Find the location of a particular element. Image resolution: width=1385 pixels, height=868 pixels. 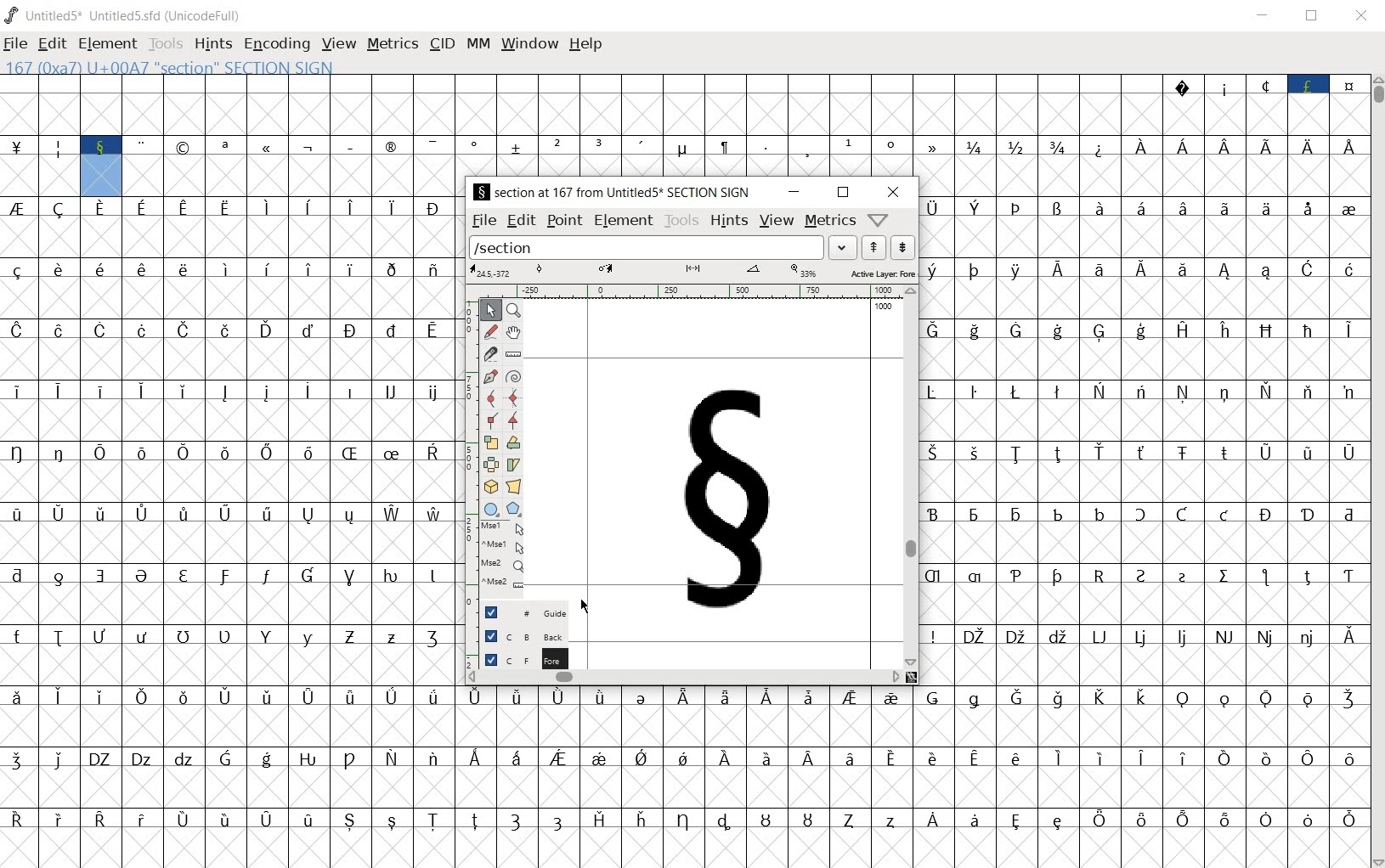

empty cells is located at coordinates (1140, 238).